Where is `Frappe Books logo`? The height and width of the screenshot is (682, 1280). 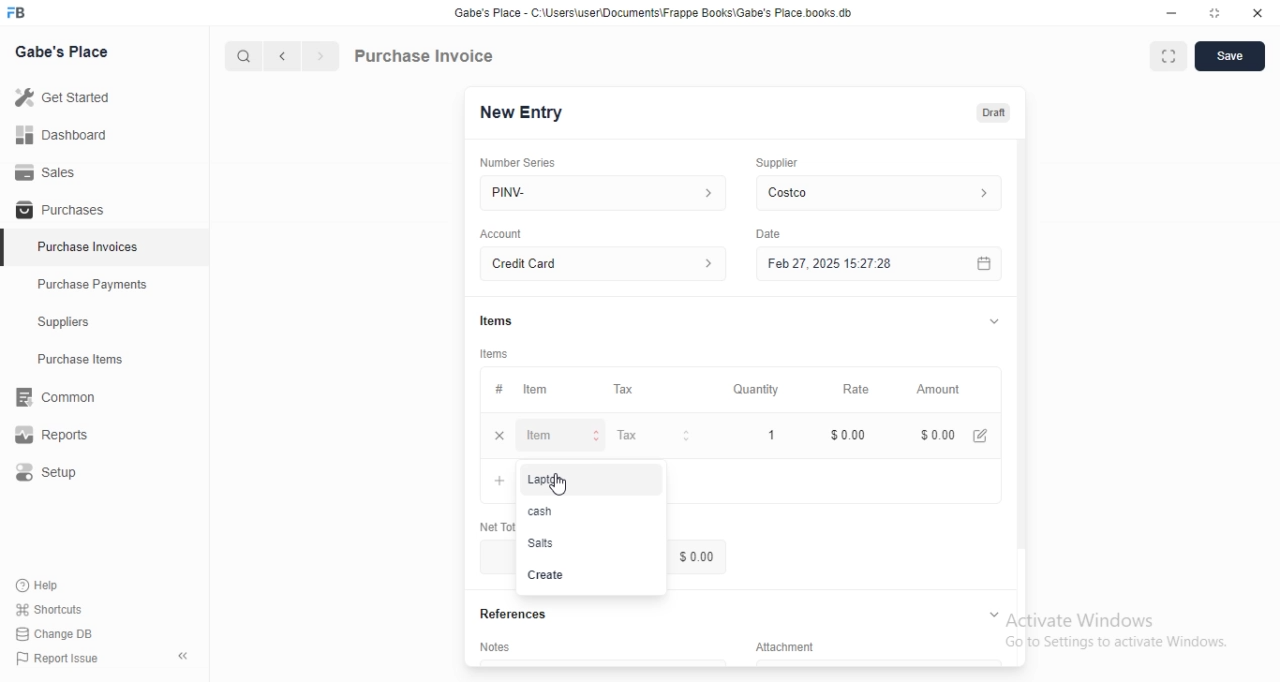 Frappe Books logo is located at coordinates (15, 12).